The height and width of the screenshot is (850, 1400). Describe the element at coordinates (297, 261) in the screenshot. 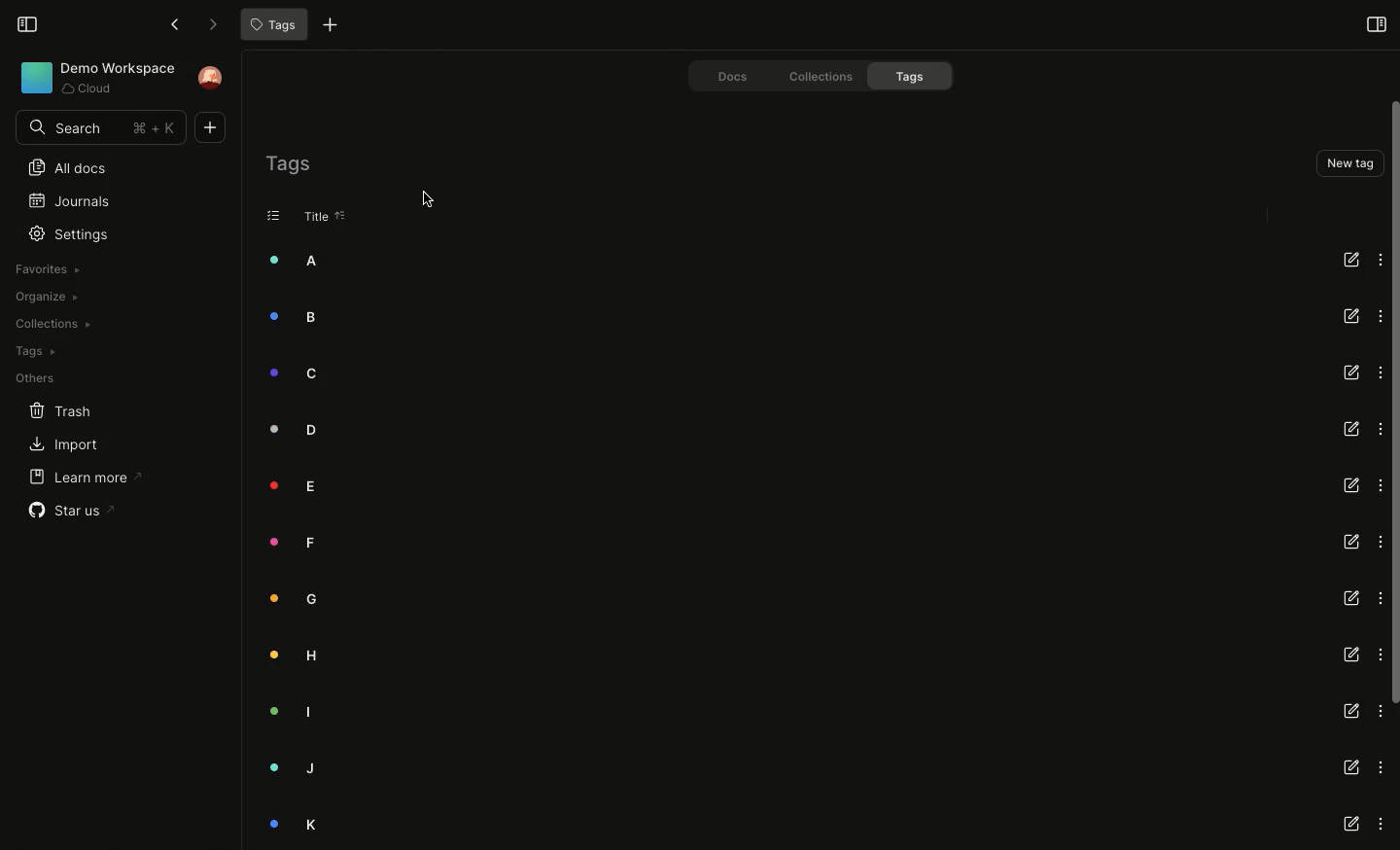

I see `A` at that location.